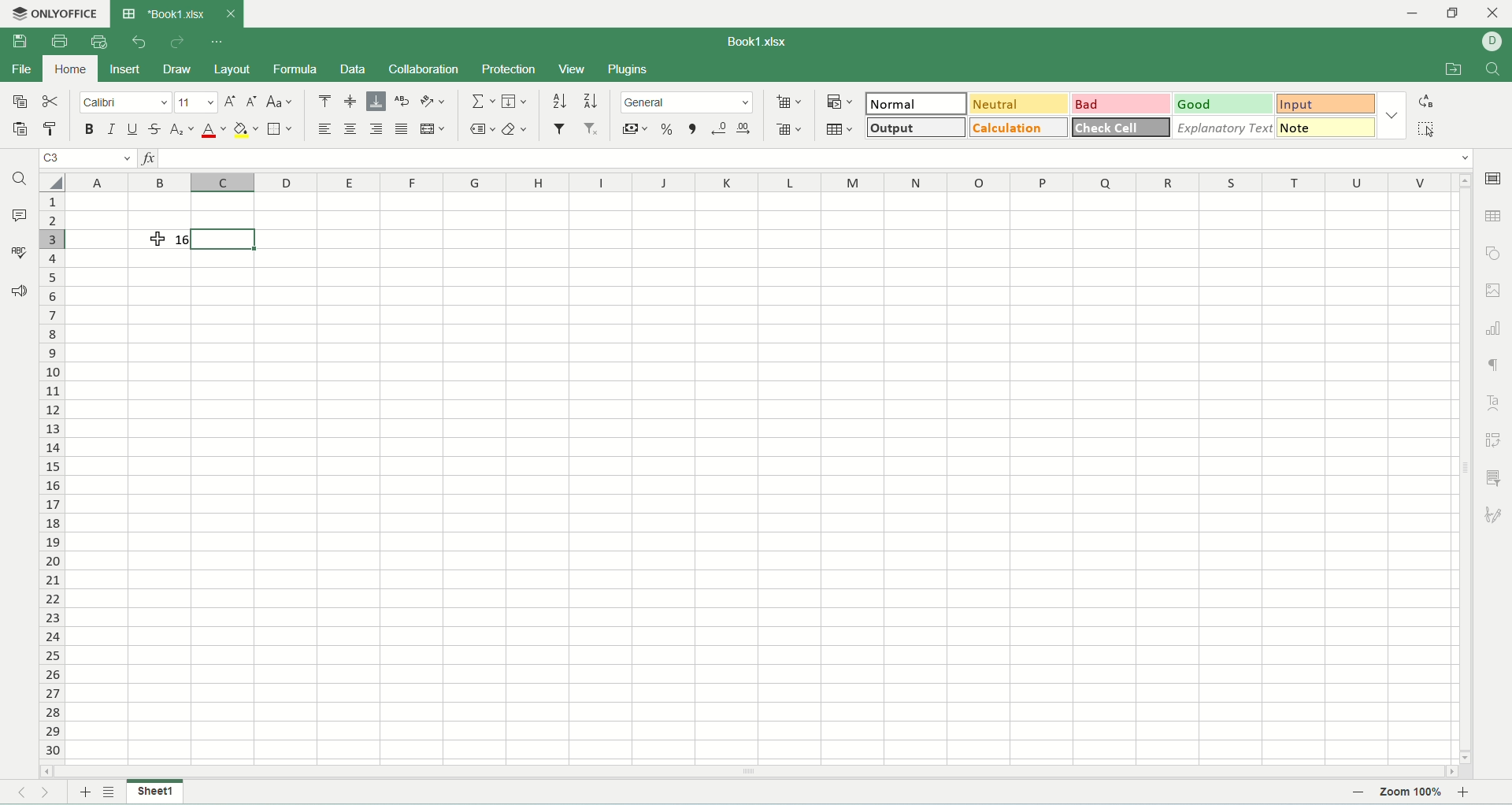  I want to click on align bottom, so click(375, 102).